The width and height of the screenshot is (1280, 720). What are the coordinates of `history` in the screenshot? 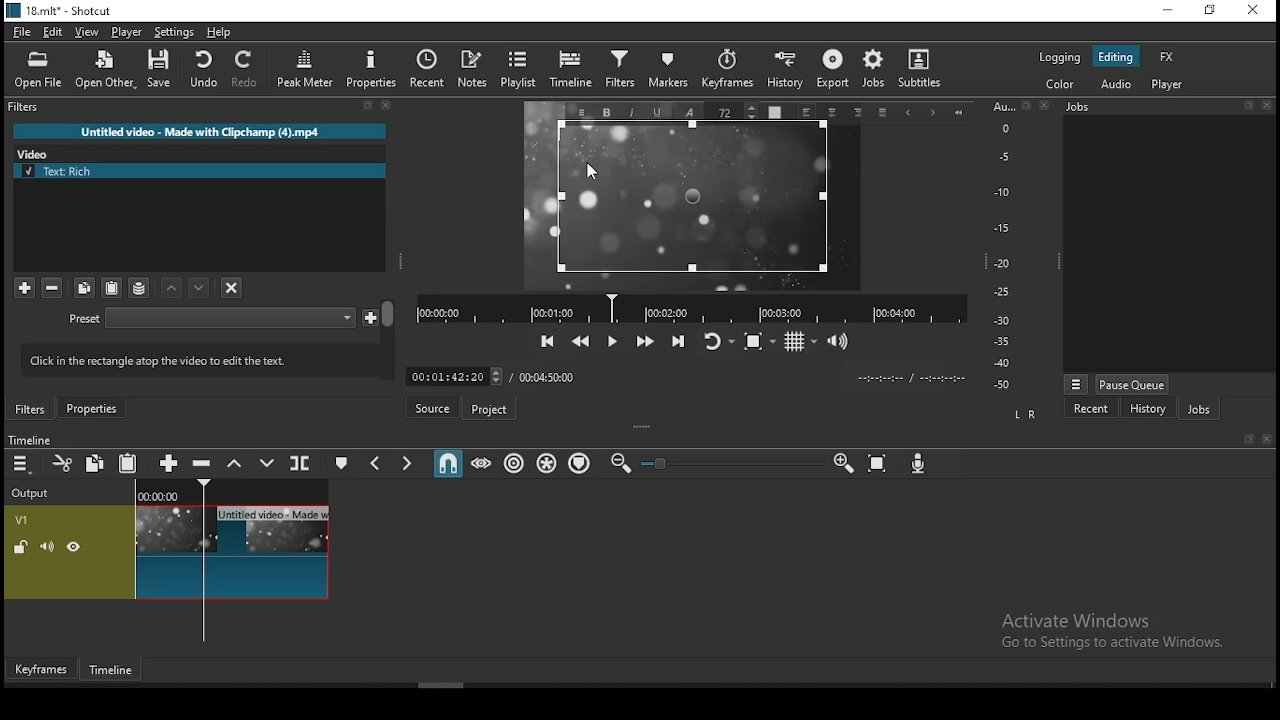 It's located at (1147, 408).